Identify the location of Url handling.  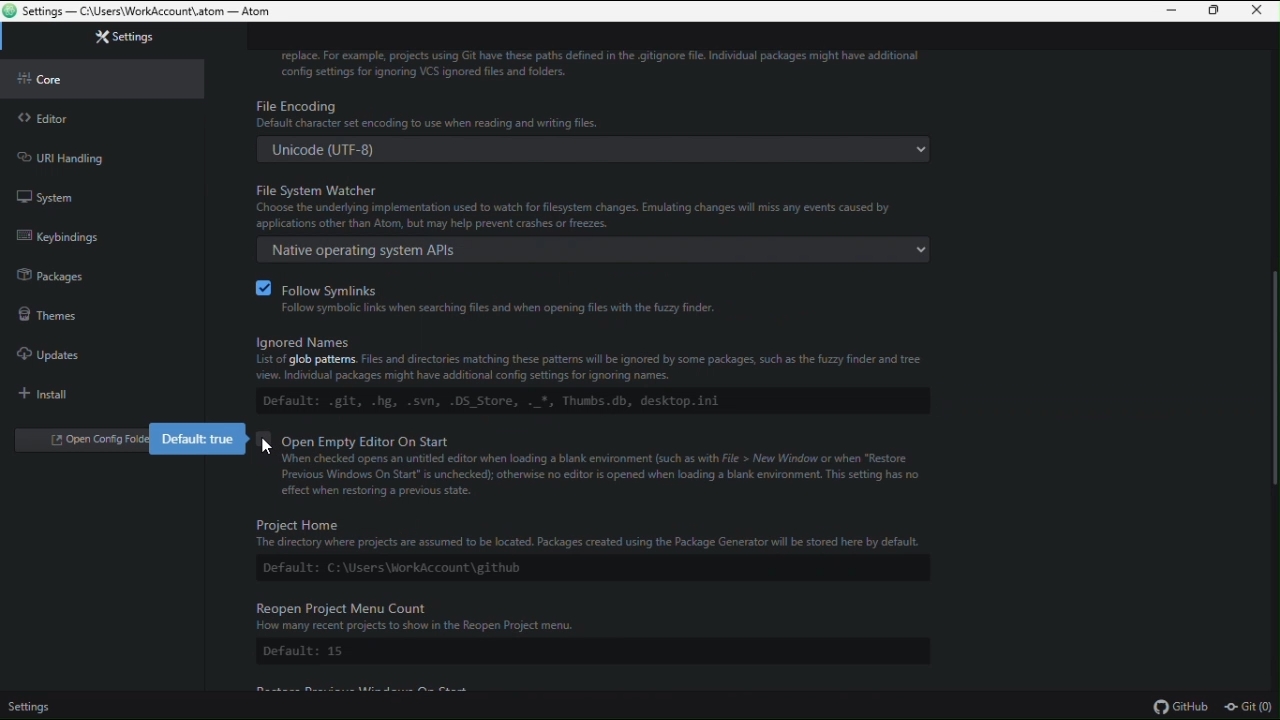
(70, 155).